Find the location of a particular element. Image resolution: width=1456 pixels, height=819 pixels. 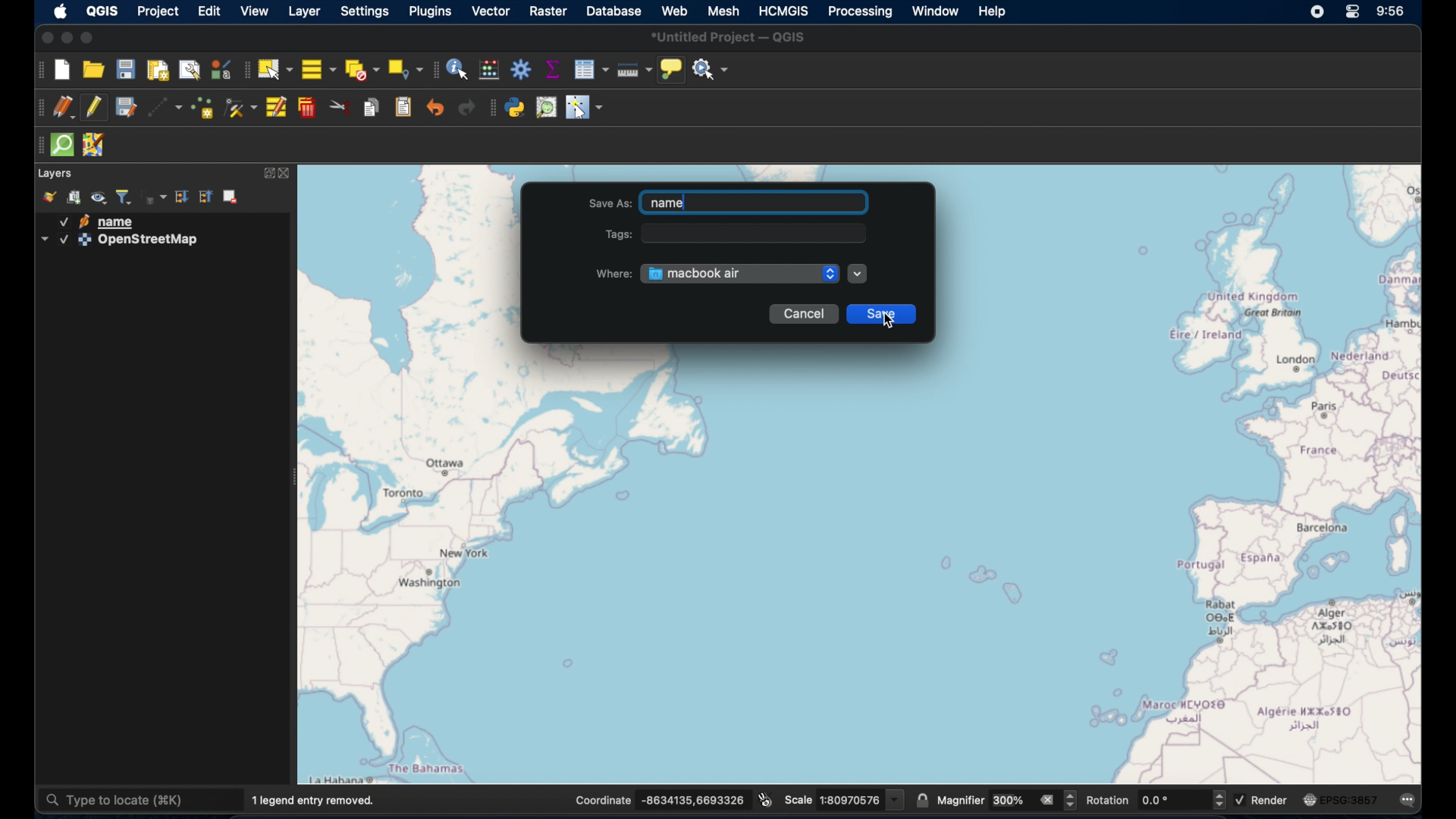

scale is located at coordinates (846, 799).